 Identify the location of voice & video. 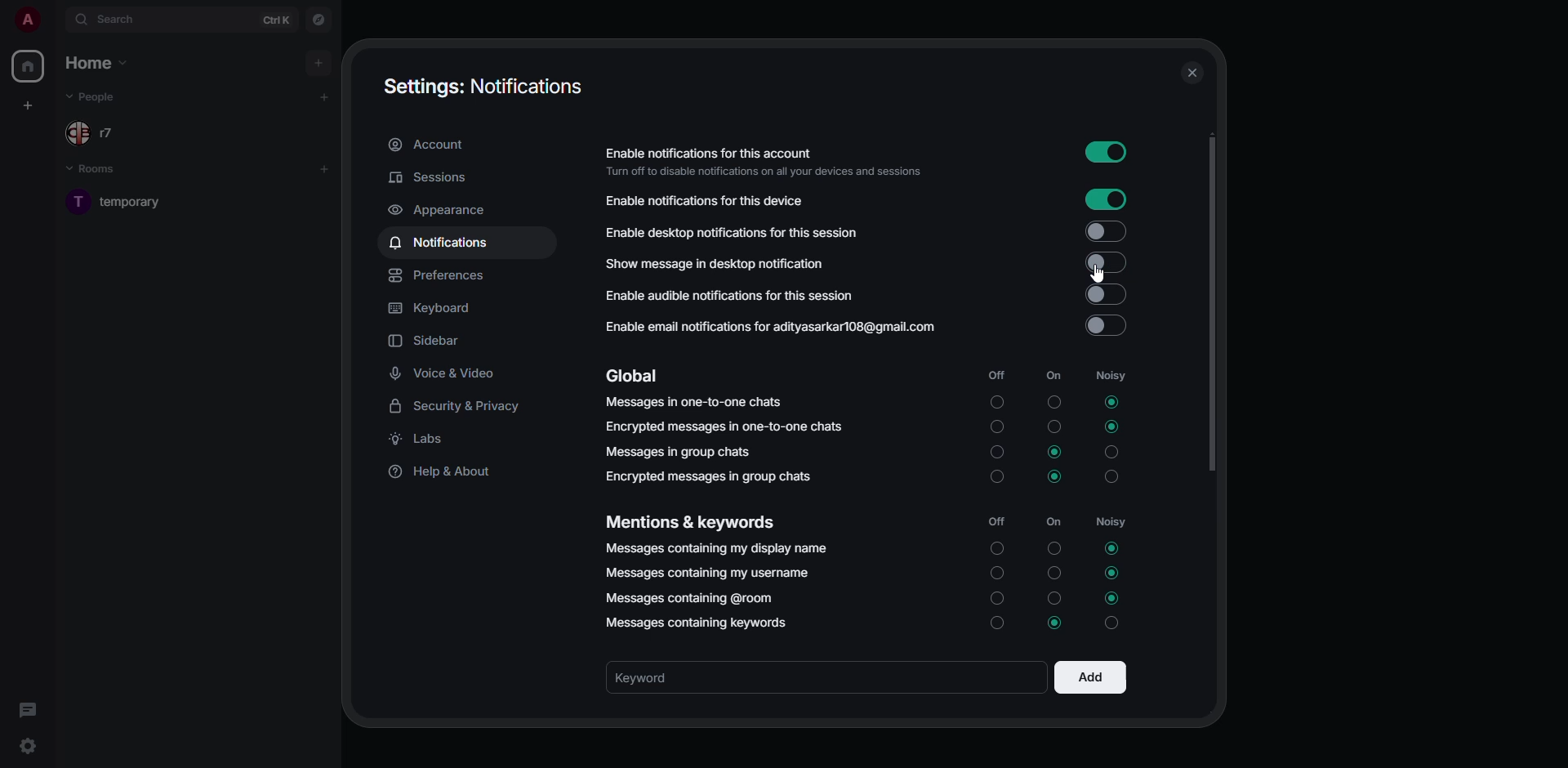
(446, 371).